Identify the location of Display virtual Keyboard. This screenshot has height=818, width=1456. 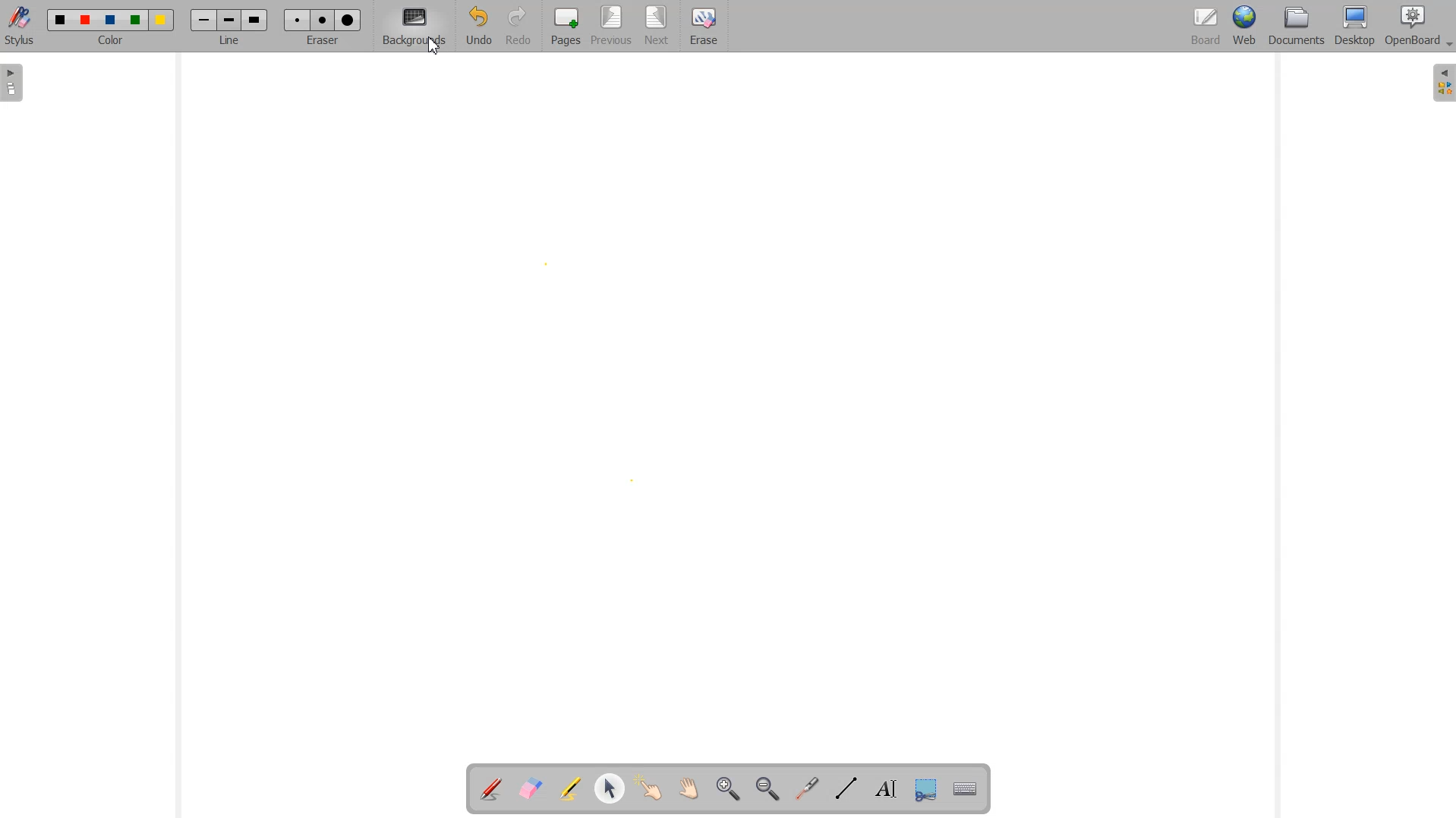
(966, 790).